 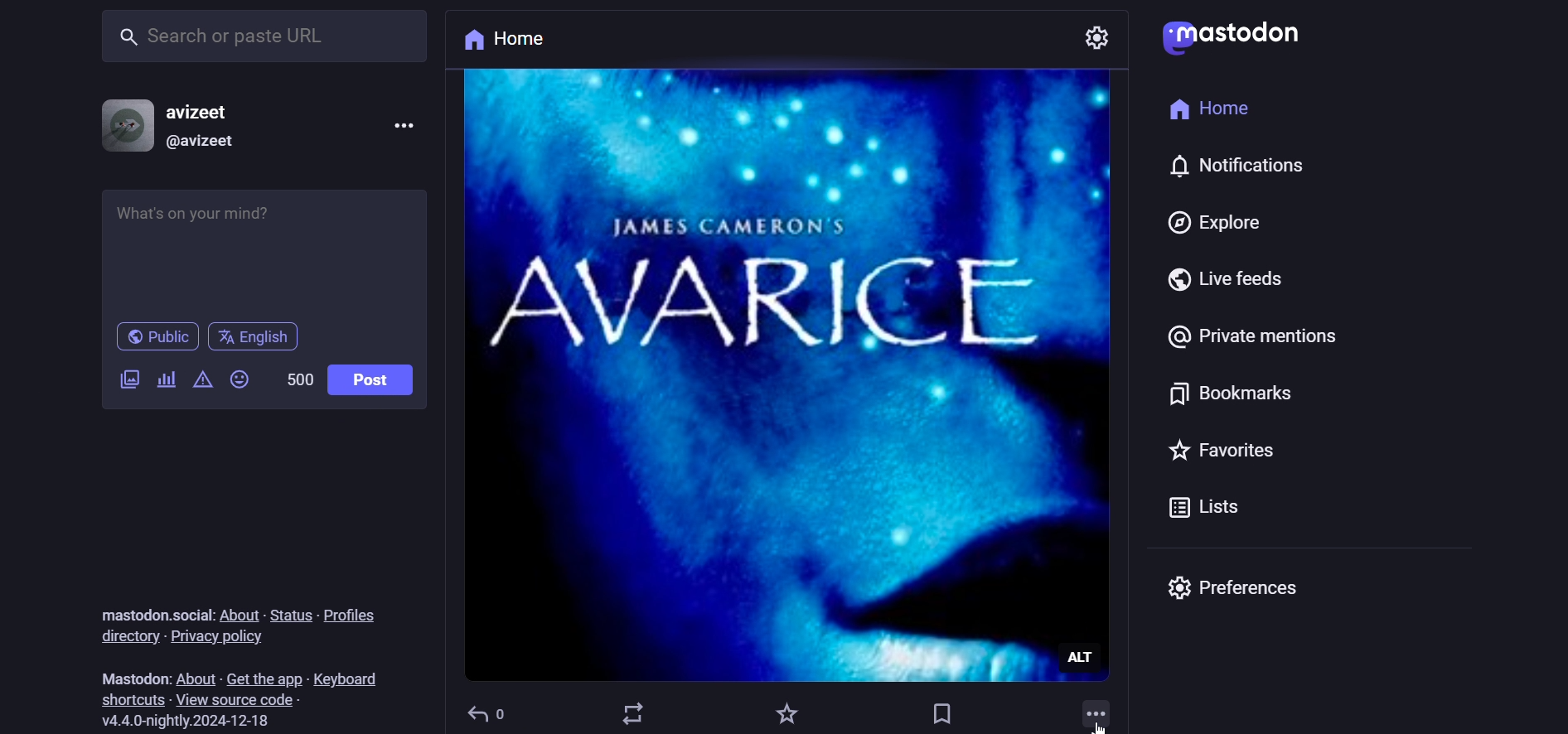 What do you see at coordinates (351, 613) in the screenshot?
I see `profiles` at bounding box center [351, 613].